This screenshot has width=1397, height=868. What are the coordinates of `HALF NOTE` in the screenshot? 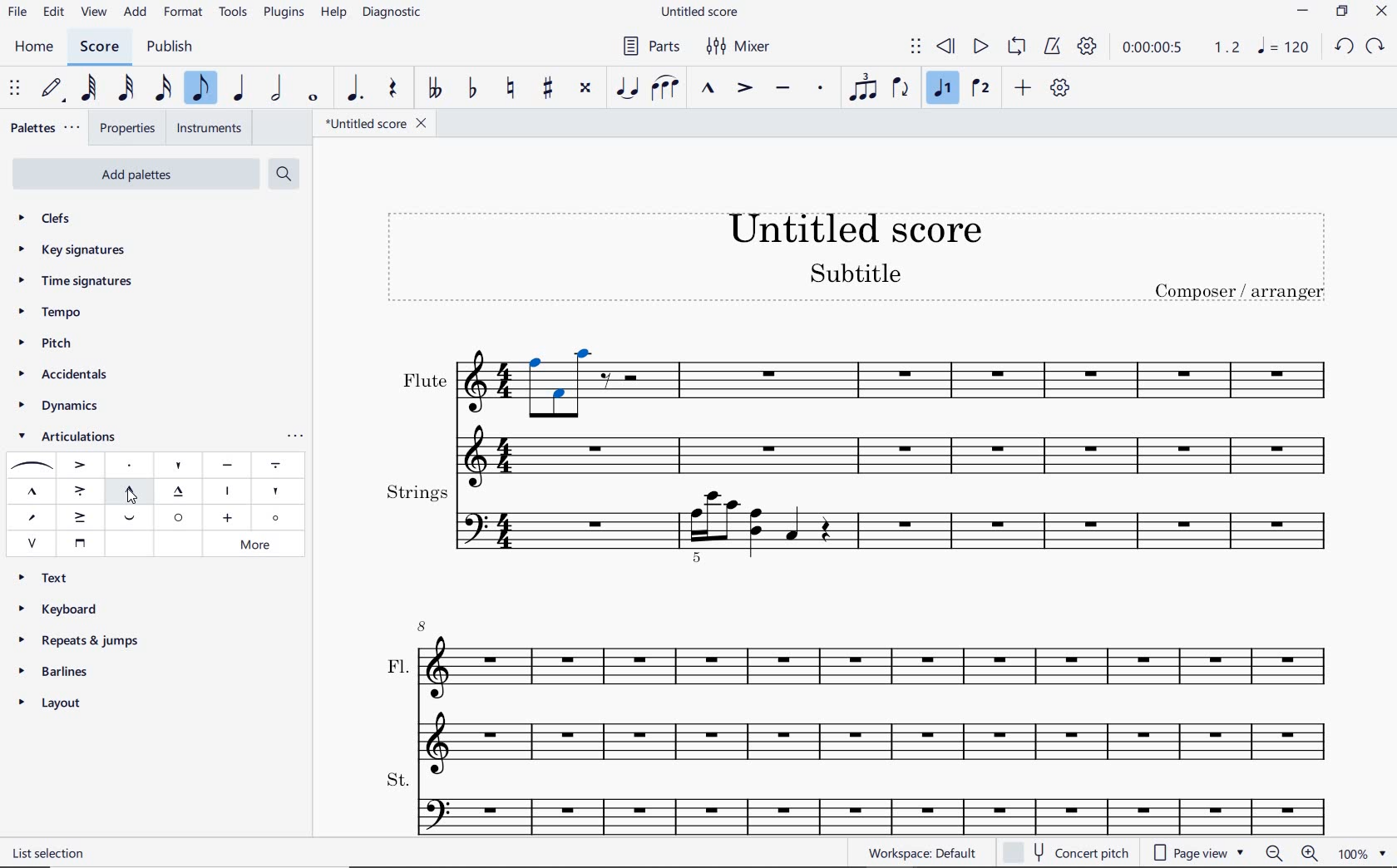 It's located at (279, 90).